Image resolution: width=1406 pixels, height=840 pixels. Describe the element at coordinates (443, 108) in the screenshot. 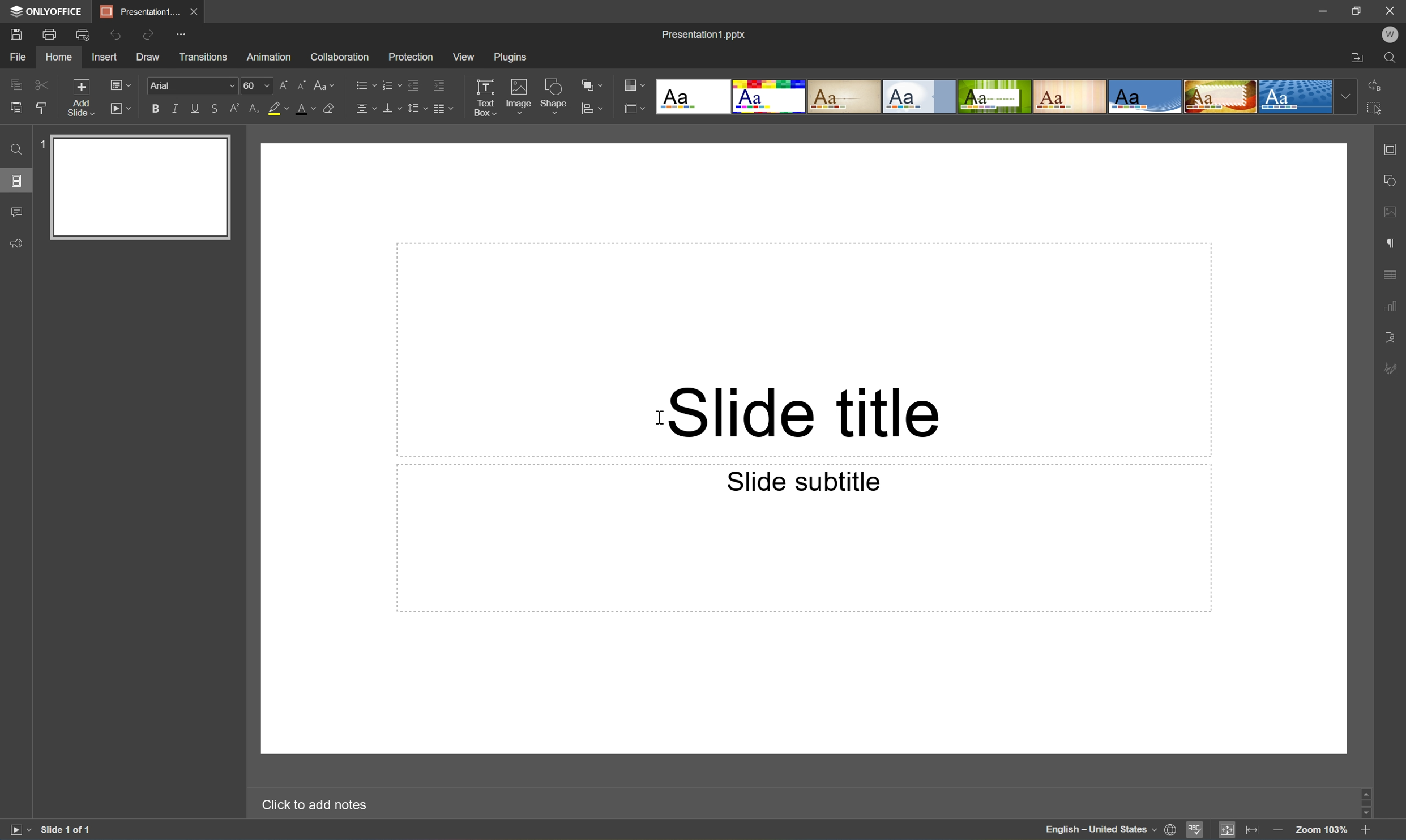

I see `Insert columns` at that location.